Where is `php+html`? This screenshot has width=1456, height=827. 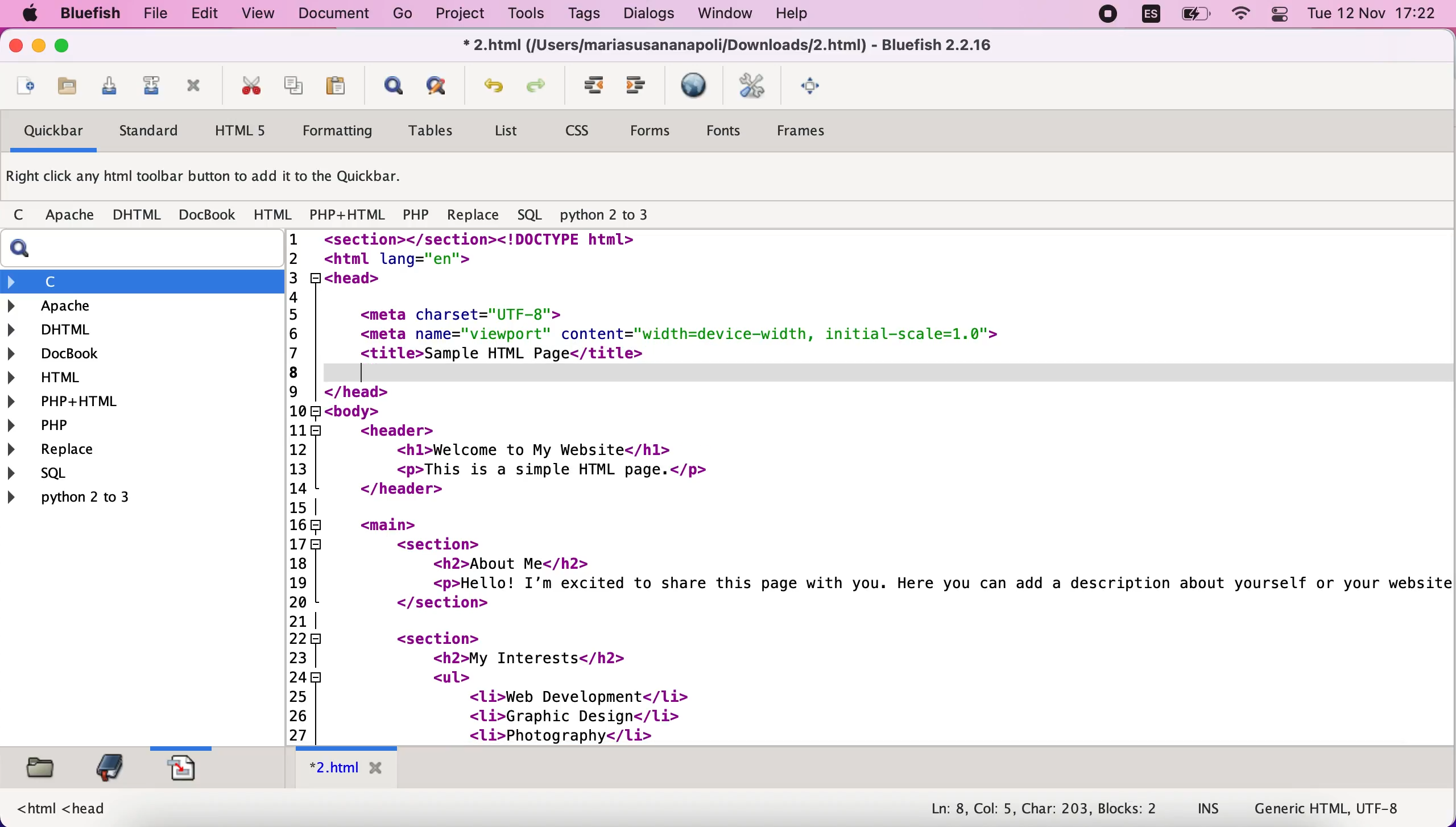
php+html is located at coordinates (136, 402).